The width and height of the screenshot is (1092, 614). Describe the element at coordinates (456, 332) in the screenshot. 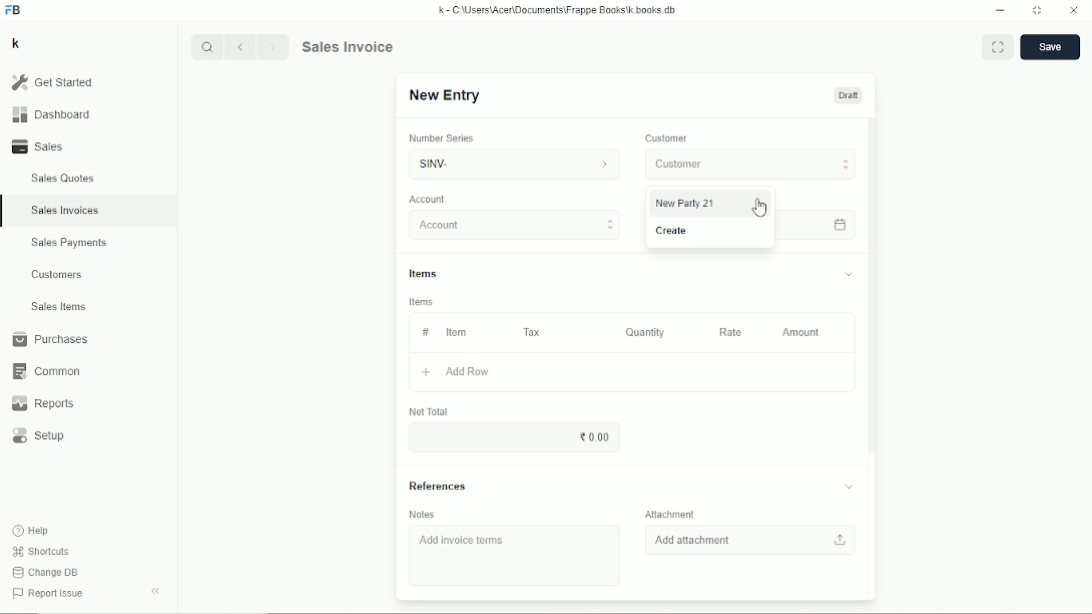

I see `Item` at that location.